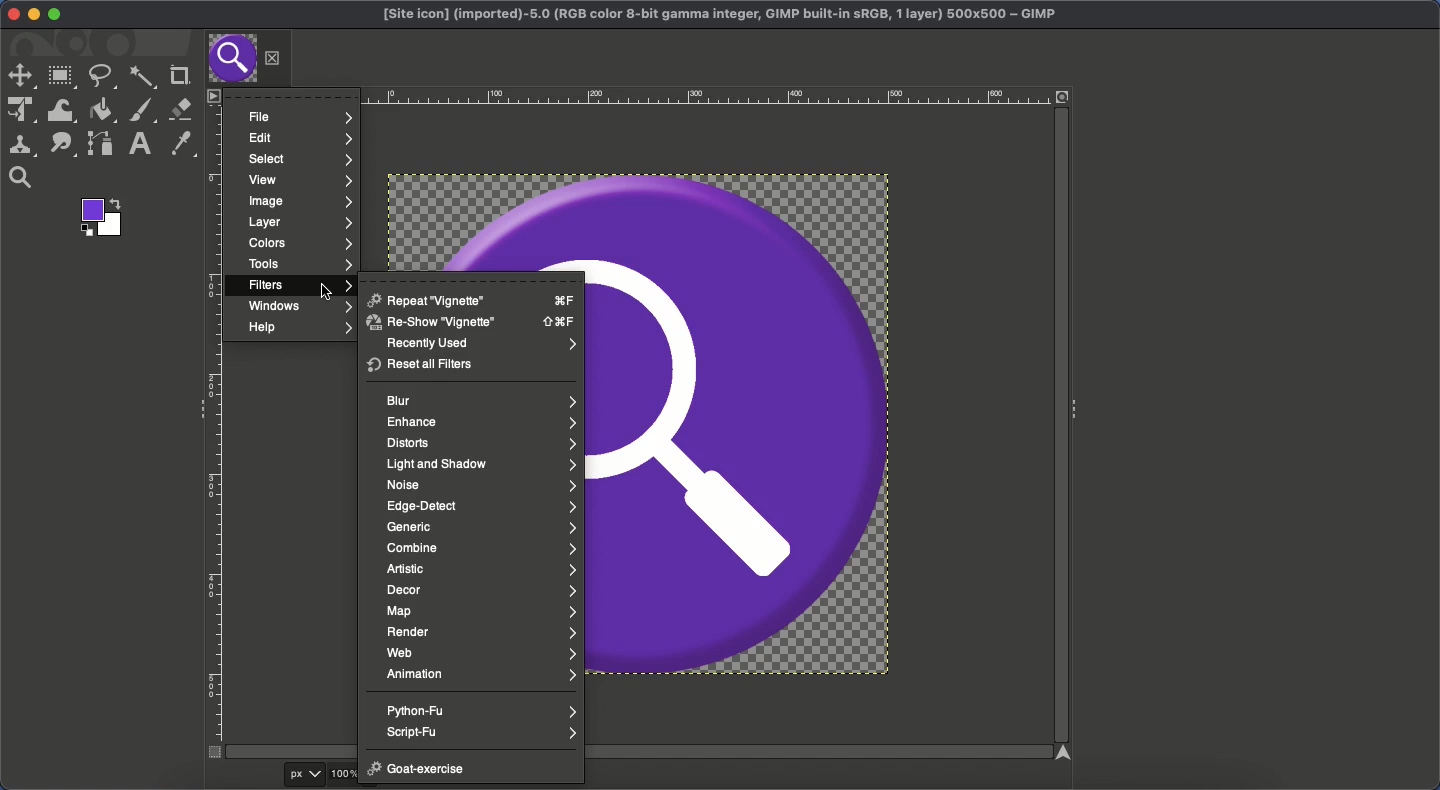 This screenshot has height=790, width=1440. What do you see at coordinates (299, 266) in the screenshot?
I see `Tools` at bounding box center [299, 266].